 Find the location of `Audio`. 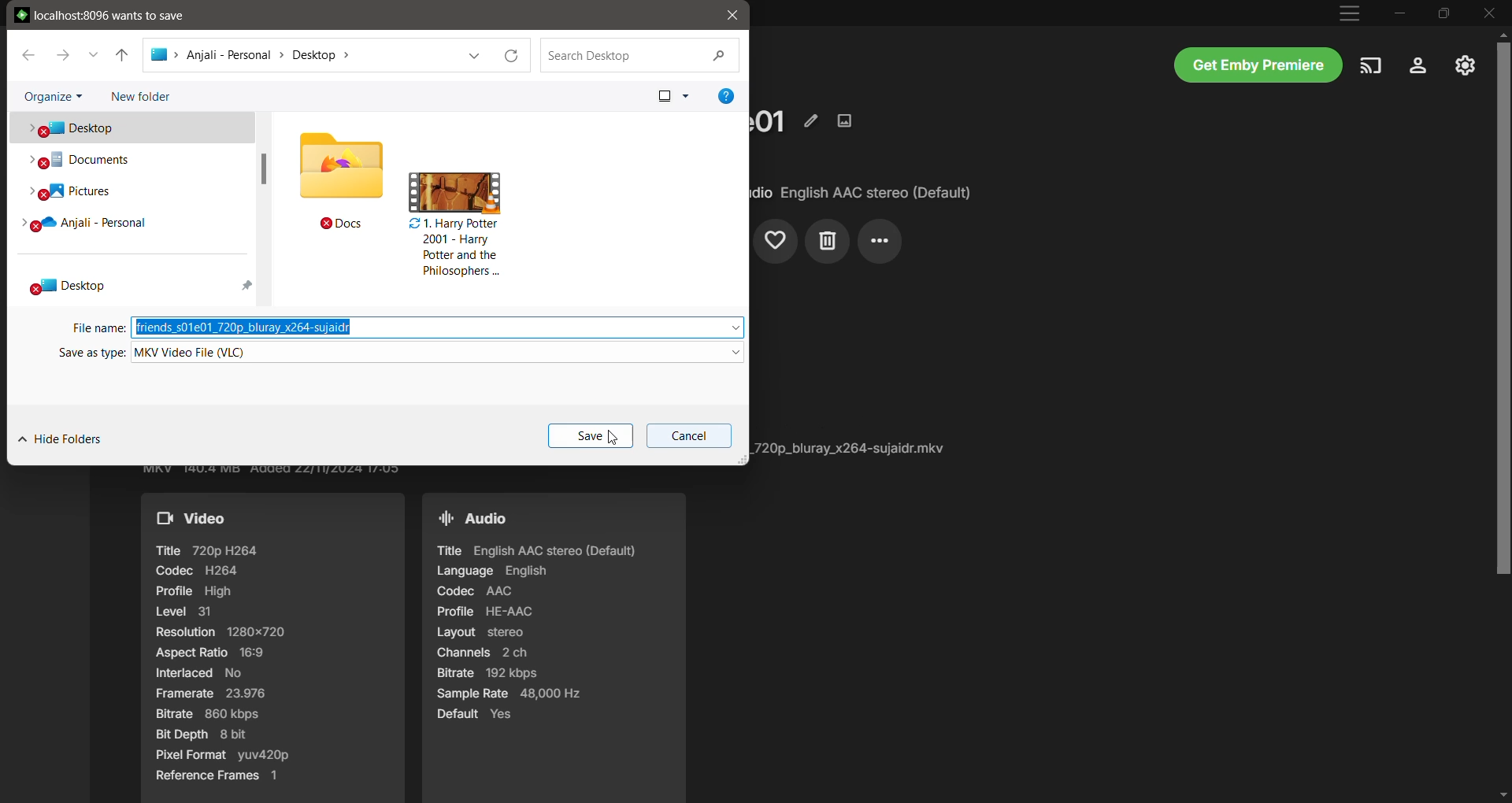

Audio is located at coordinates (863, 193).